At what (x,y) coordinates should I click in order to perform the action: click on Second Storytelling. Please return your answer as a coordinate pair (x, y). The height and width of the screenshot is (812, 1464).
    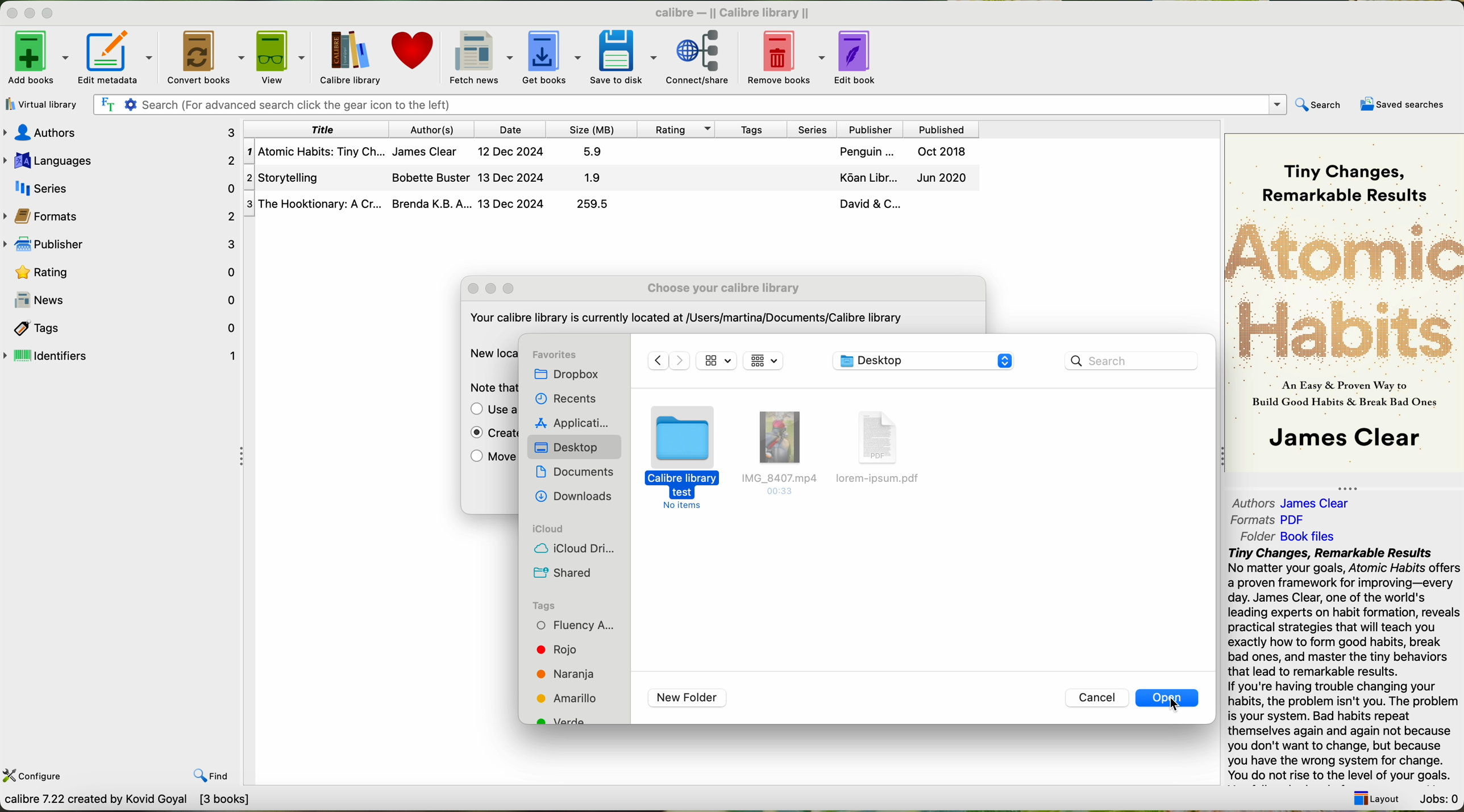
    Looking at the image, I should click on (613, 178).